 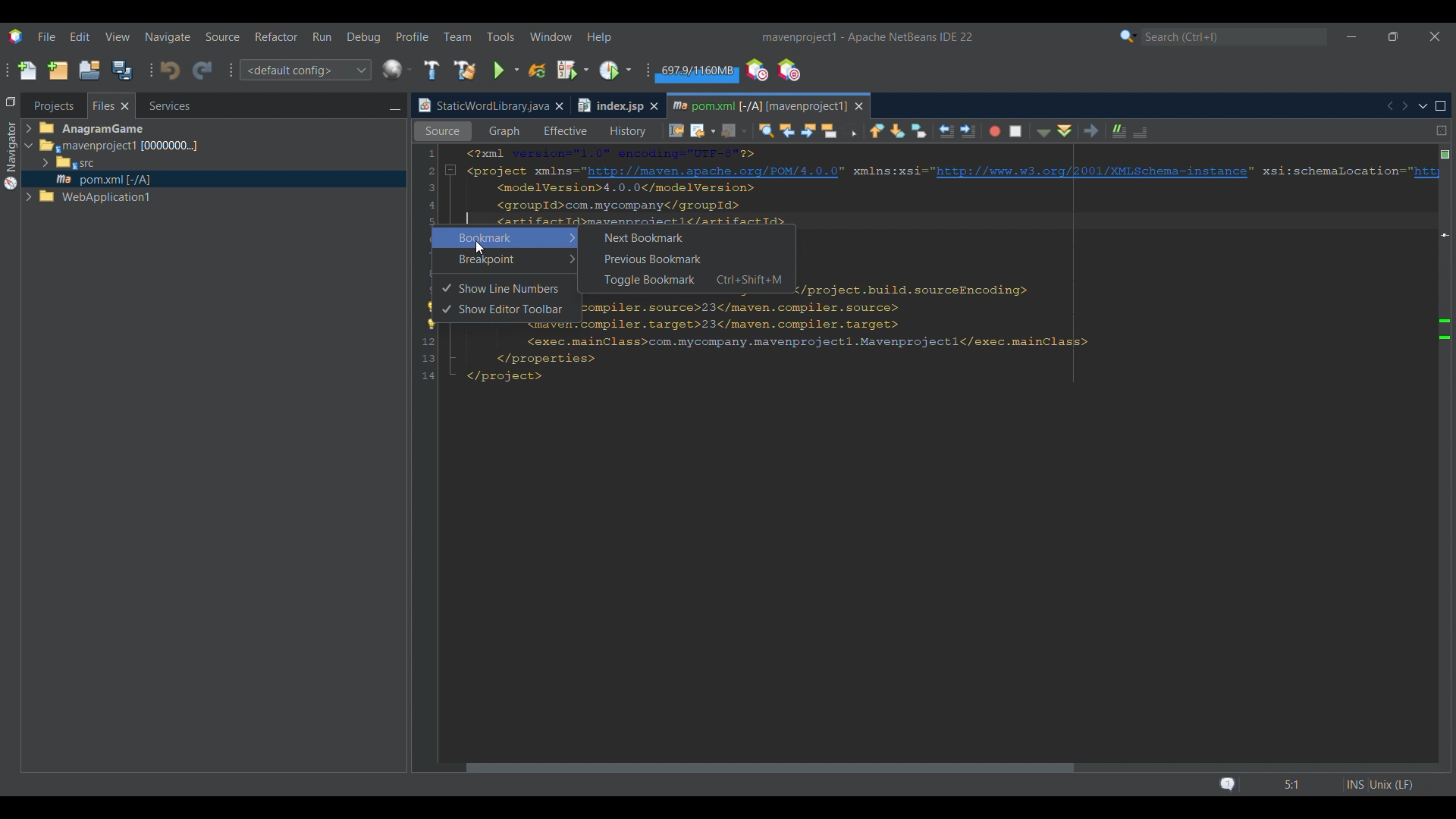 What do you see at coordinates (16, 37) in the screenshot?
I see `Software logo` at bounding box center [16, 37].